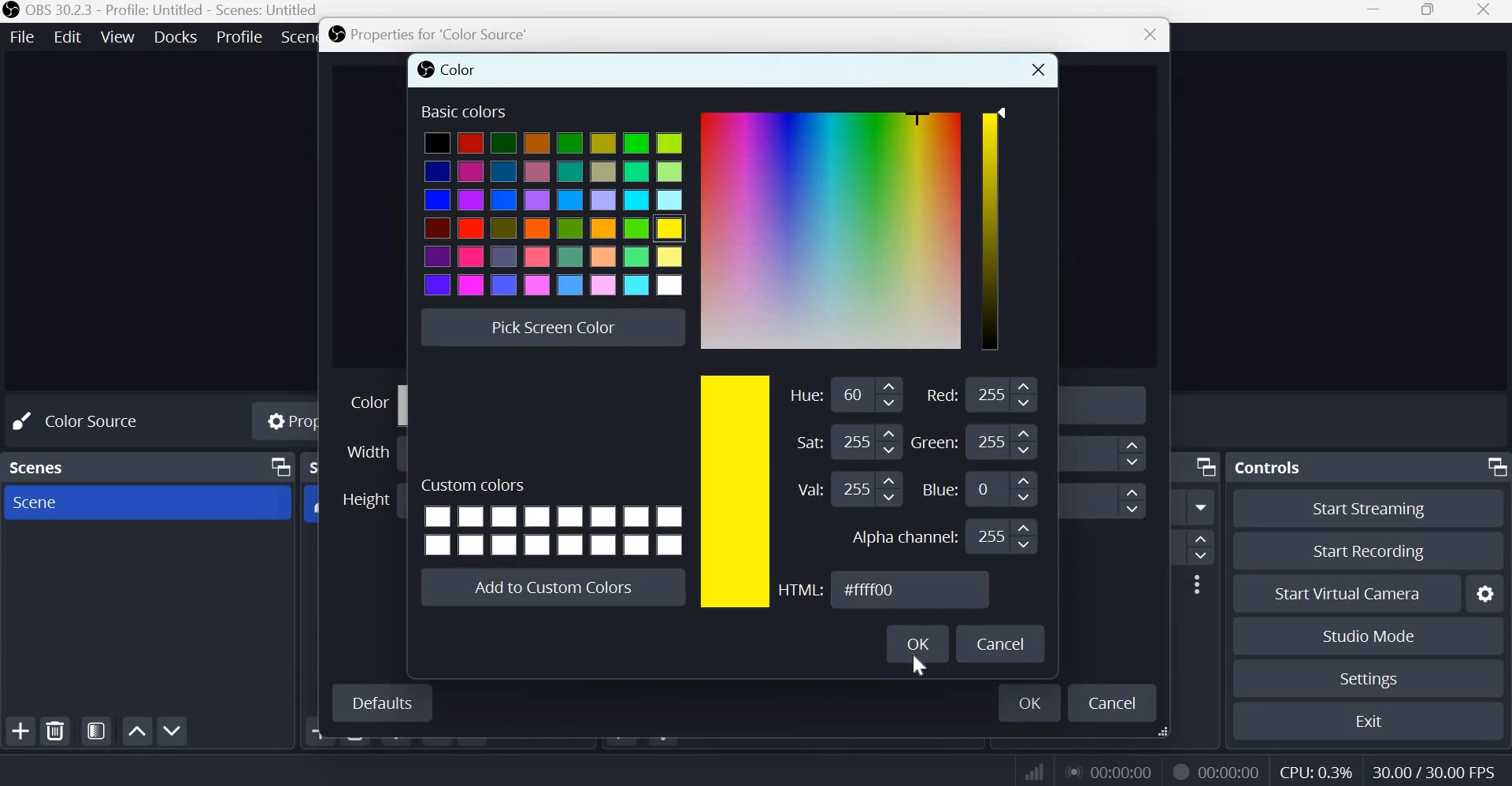 This screenshot has width=1512, height=786. Describe the element at coordinates (1376, 508) in the screenshot. I see `Start streaming` at that location.